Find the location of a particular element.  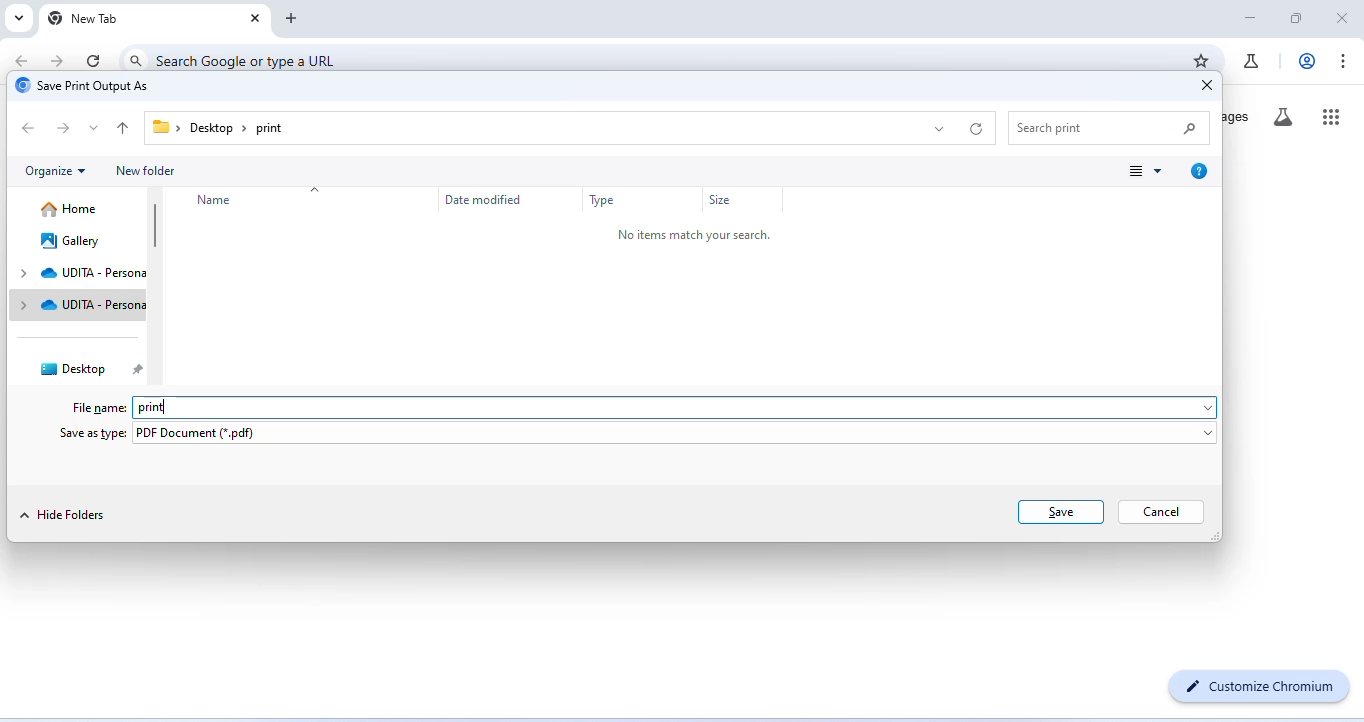

pdf document (*.pdf) is located at coordinates (674, 435).